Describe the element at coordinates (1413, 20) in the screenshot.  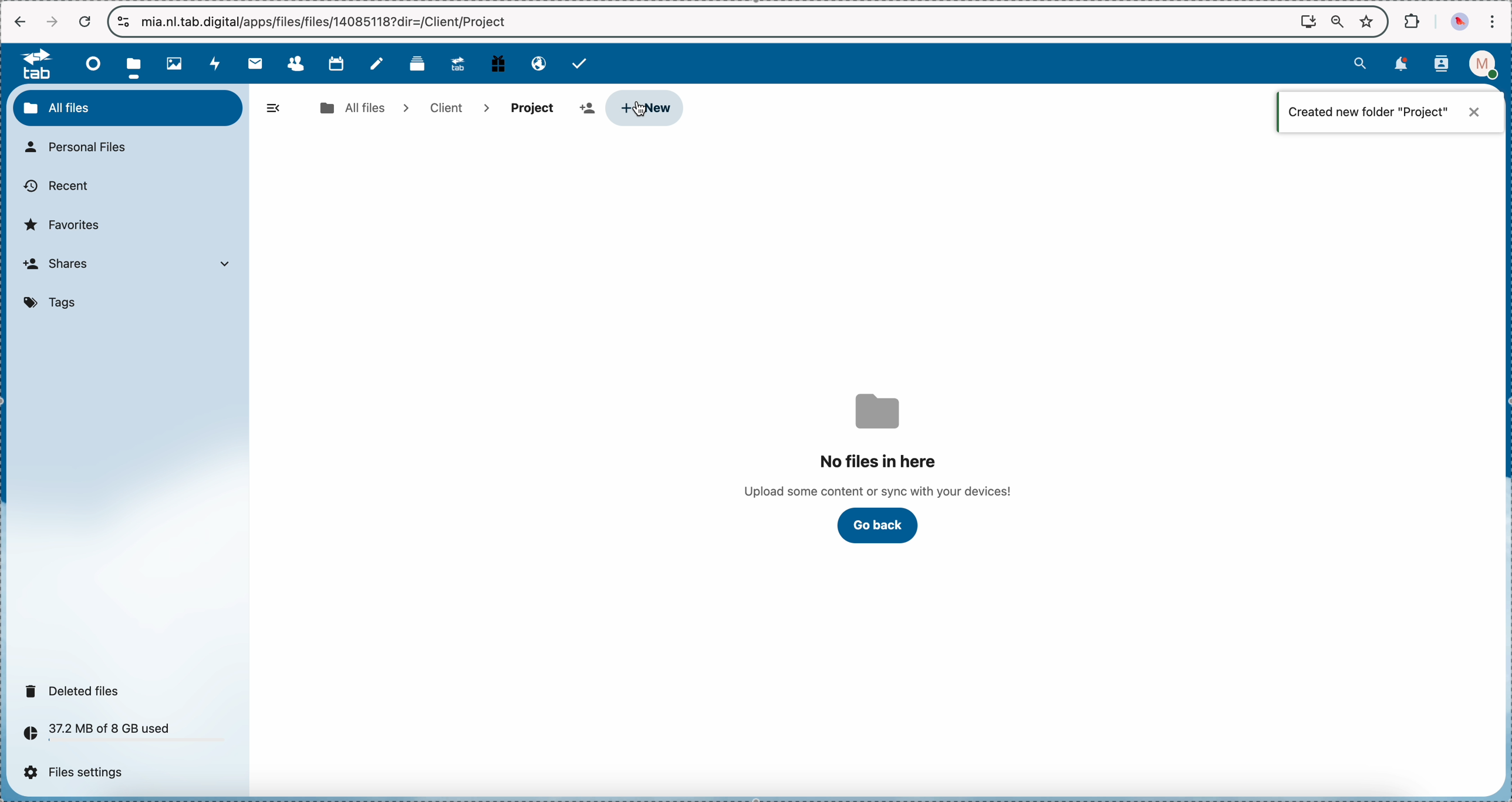
I see `extensions` at that location.